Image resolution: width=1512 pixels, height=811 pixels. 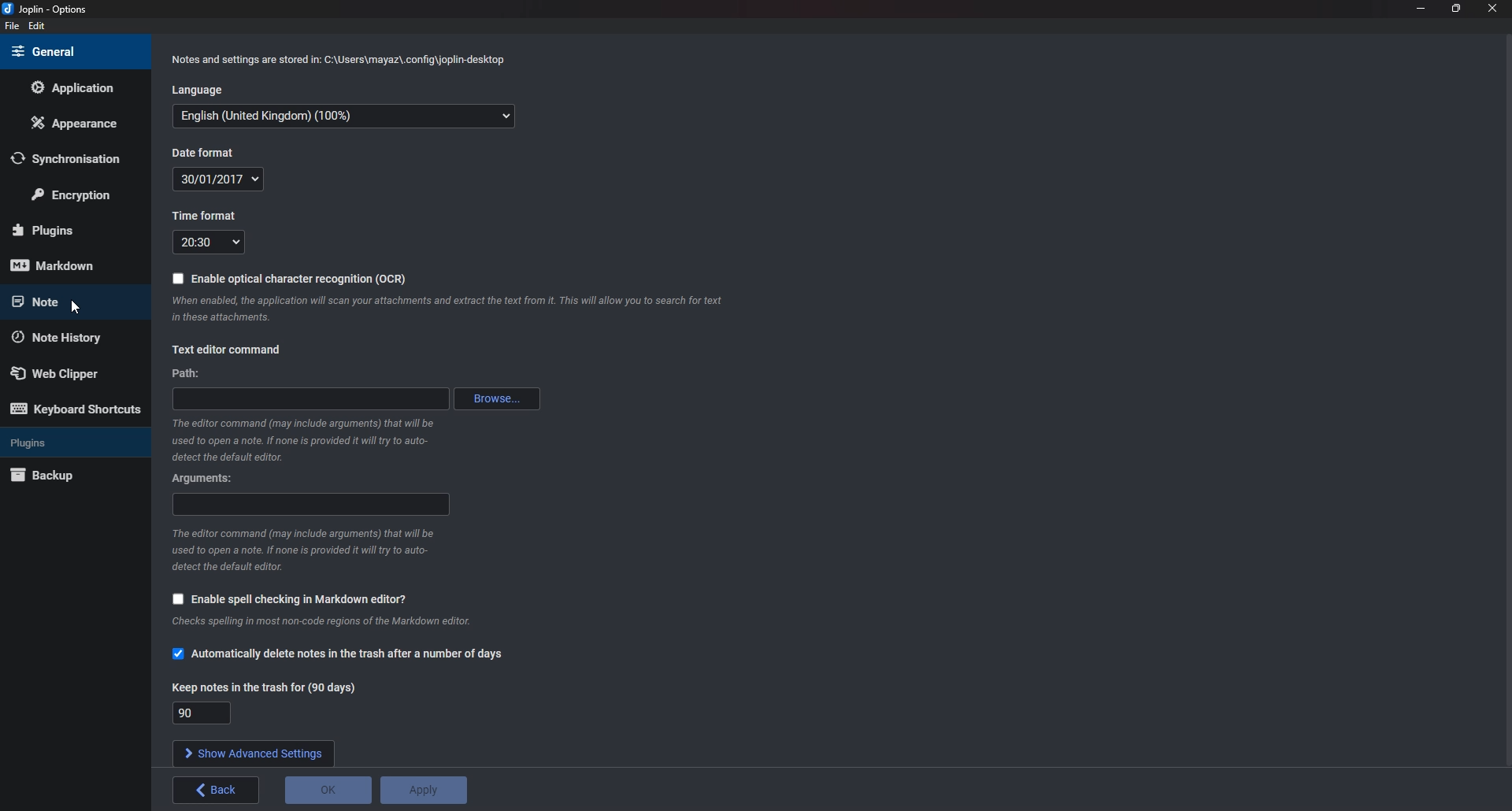 What do you see at coordinates (342, 60) in the screenshot?
I see `Info` at bounding box center [342, 60].